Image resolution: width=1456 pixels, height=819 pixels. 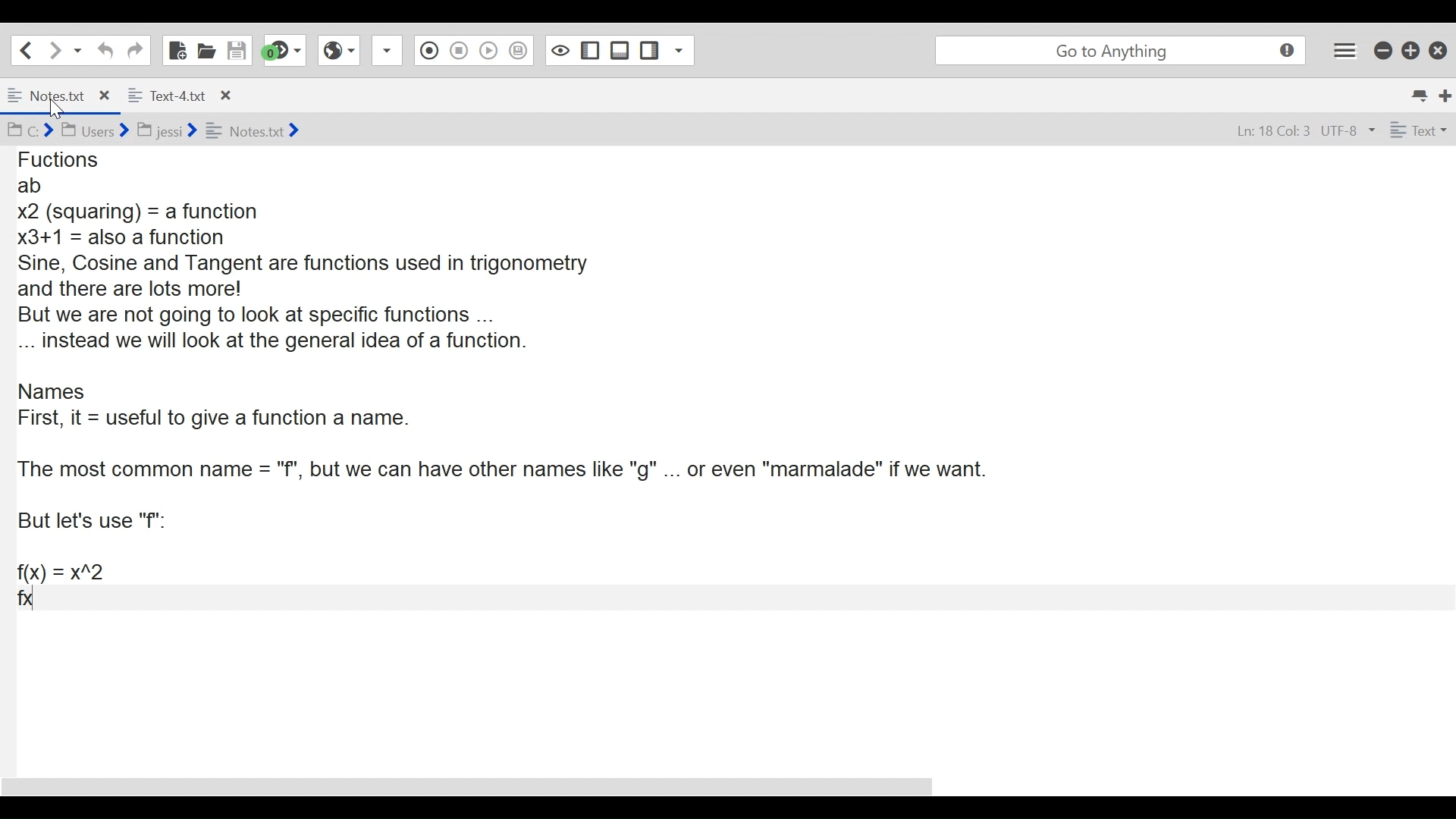 I want to click on View in Browser, so click(x=340, y=51).